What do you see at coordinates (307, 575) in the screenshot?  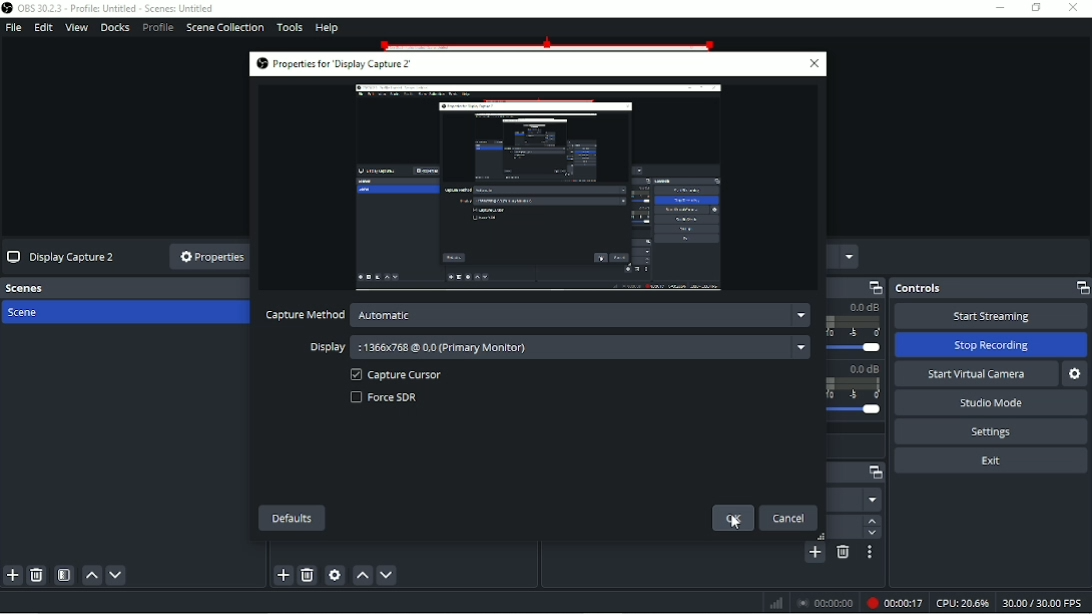 I see `Remove selected source(s)` at bounding box center [307, 575].